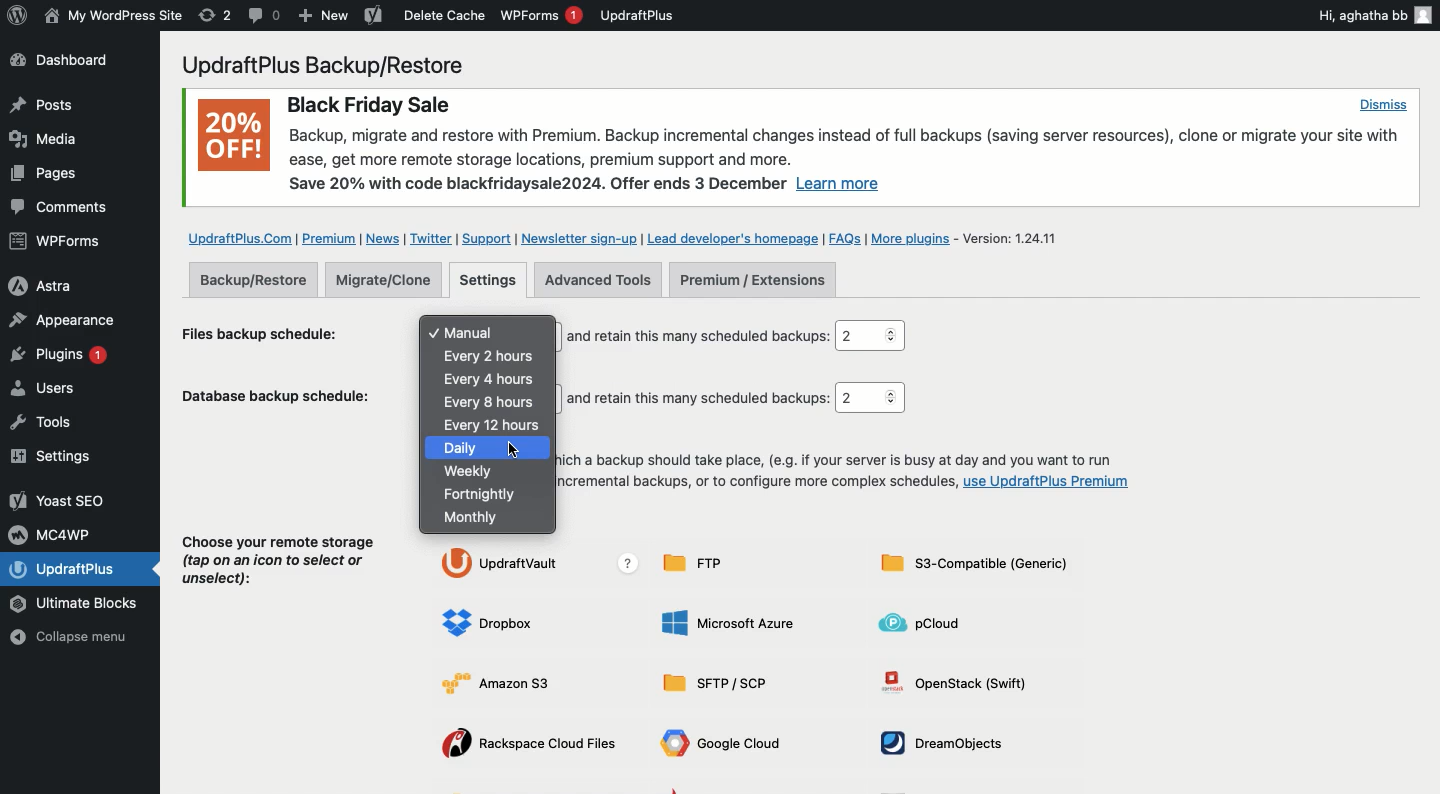  What do you see at coordinates (845, 238) in the screenshot?
I see `FAQs` at bounding box center [845, 238].